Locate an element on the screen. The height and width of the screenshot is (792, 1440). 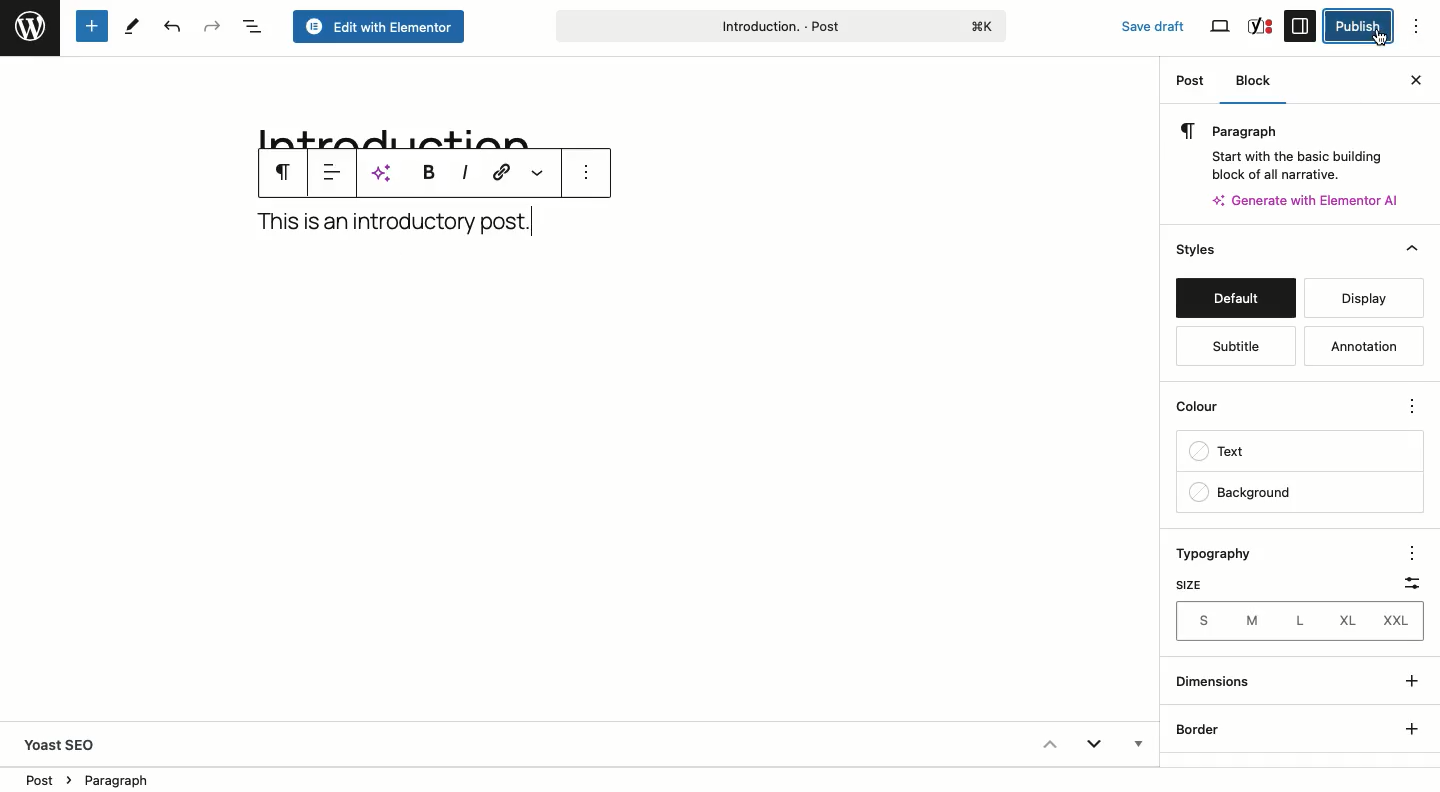
Options is located at coordinates (1408, 551).